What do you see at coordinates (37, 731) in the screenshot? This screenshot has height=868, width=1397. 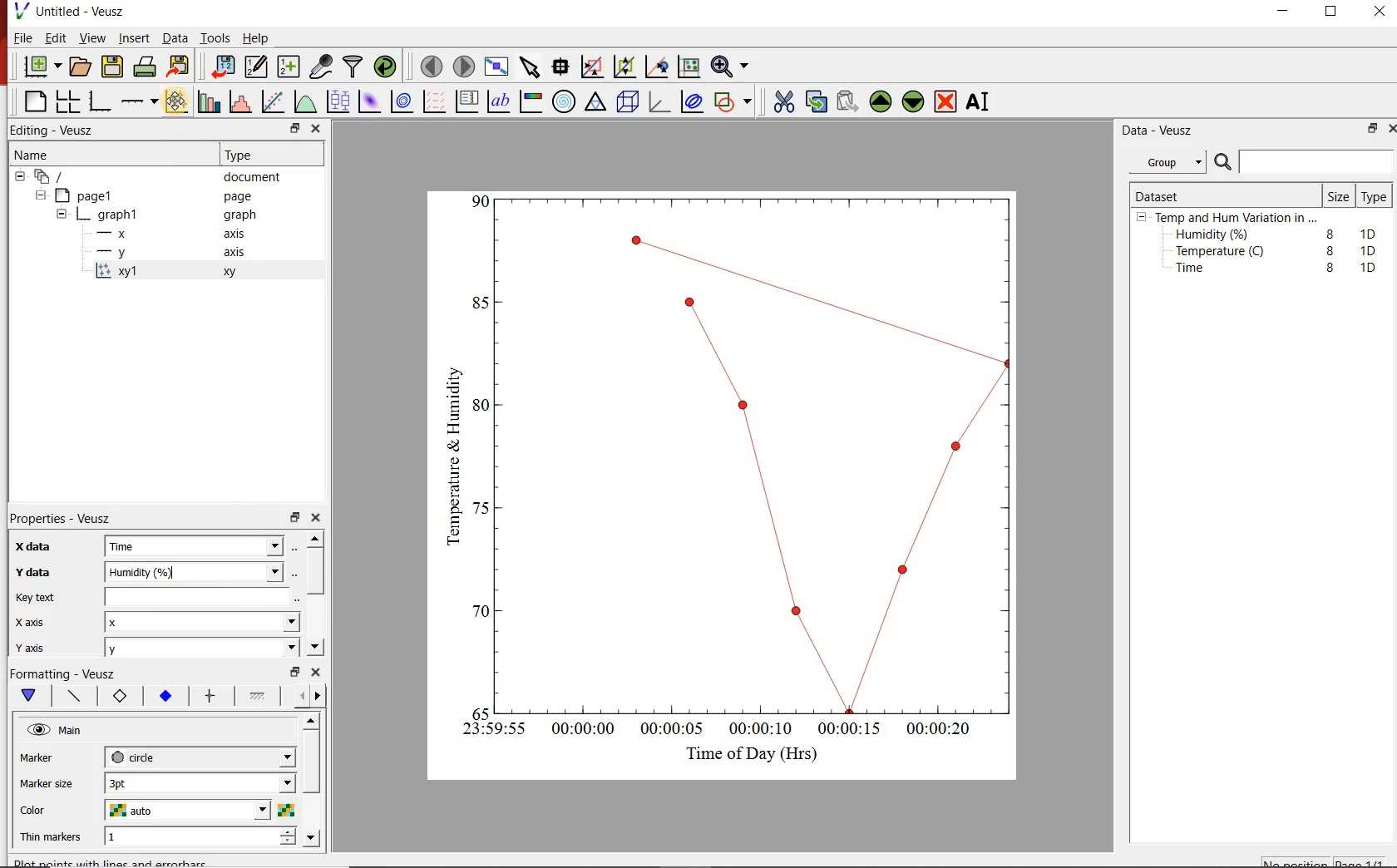 I see `visible (click to hide, set Hide to true)` at bounding box center [37, 731].